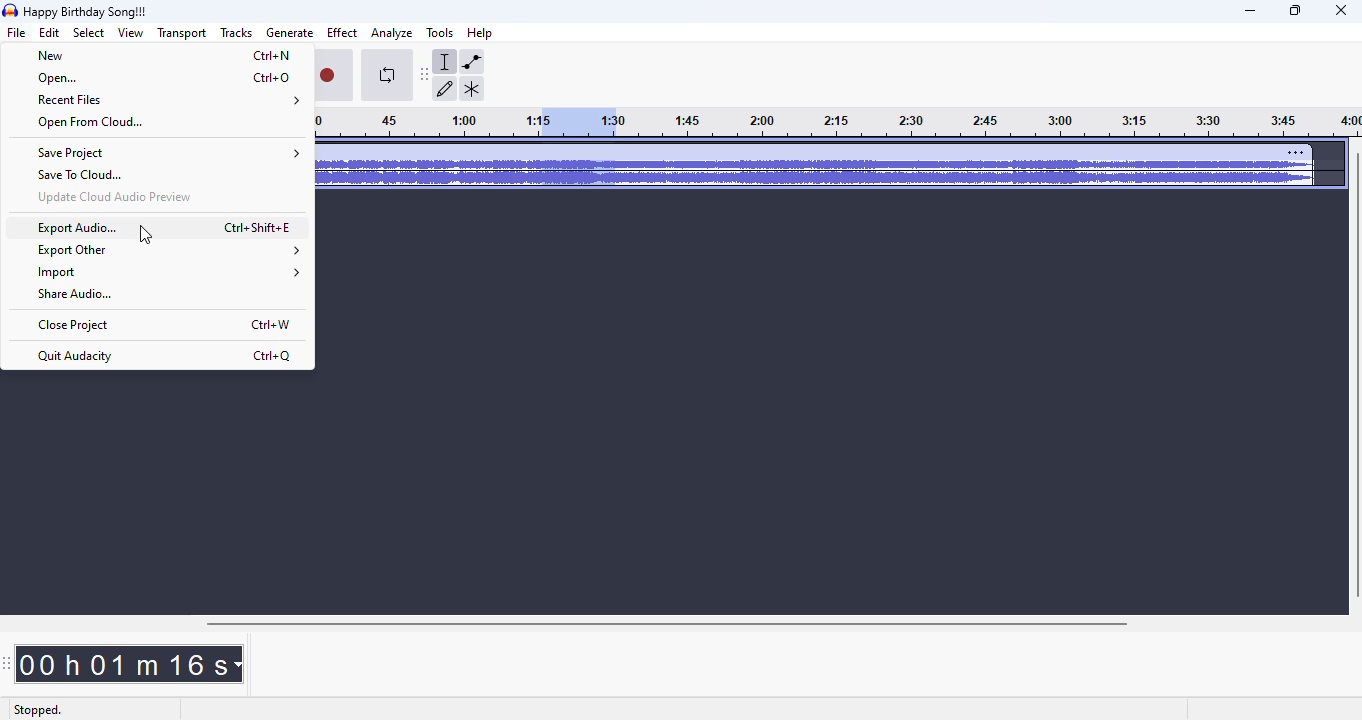 The width and height of the screenshot is (1362, 720). Describe the element at coordinates (575, 122) in the screenshot. I see `selected audio` at that location.